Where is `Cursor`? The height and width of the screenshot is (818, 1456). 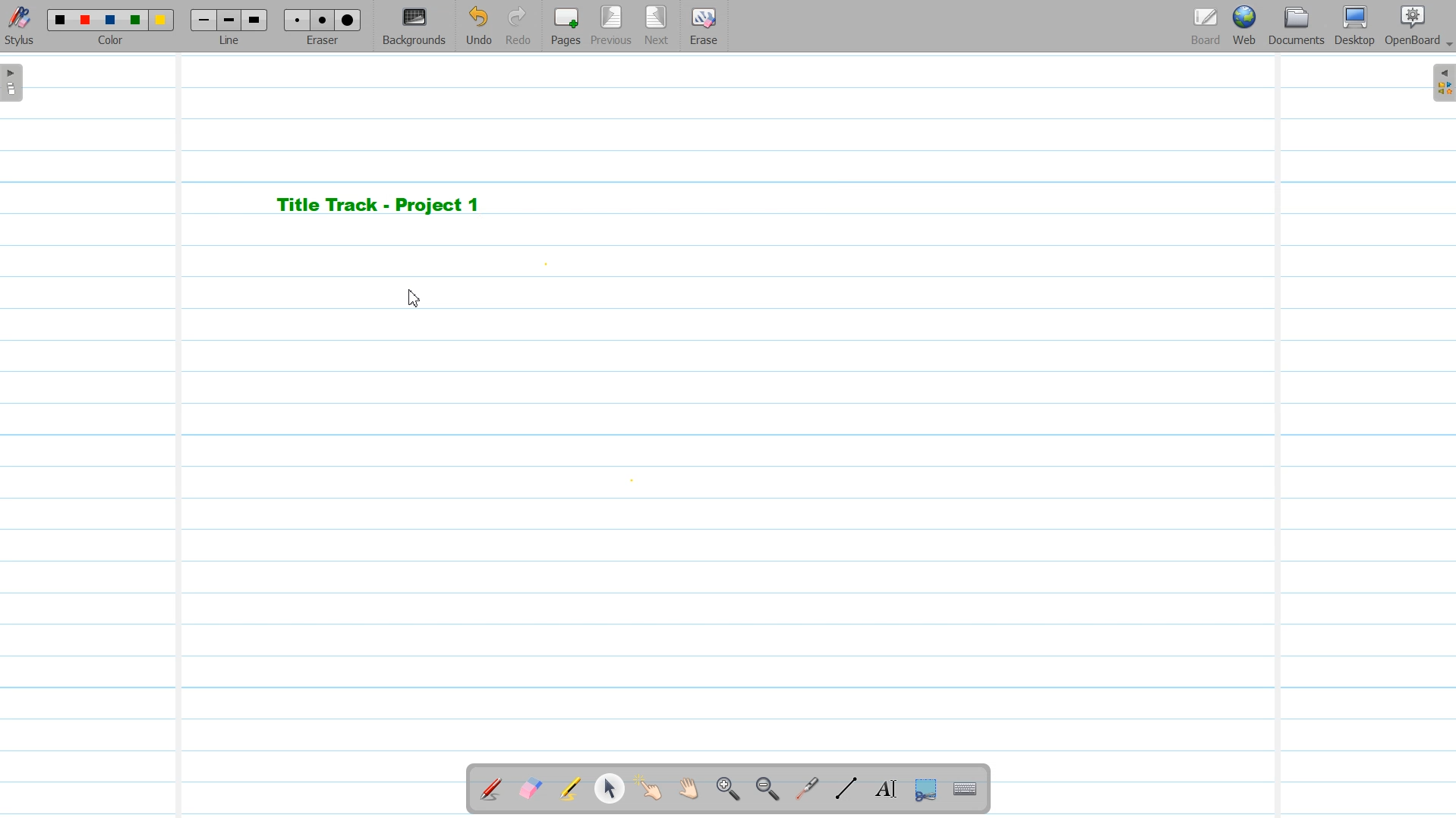
Cursor is located at coordinates (413, 295).